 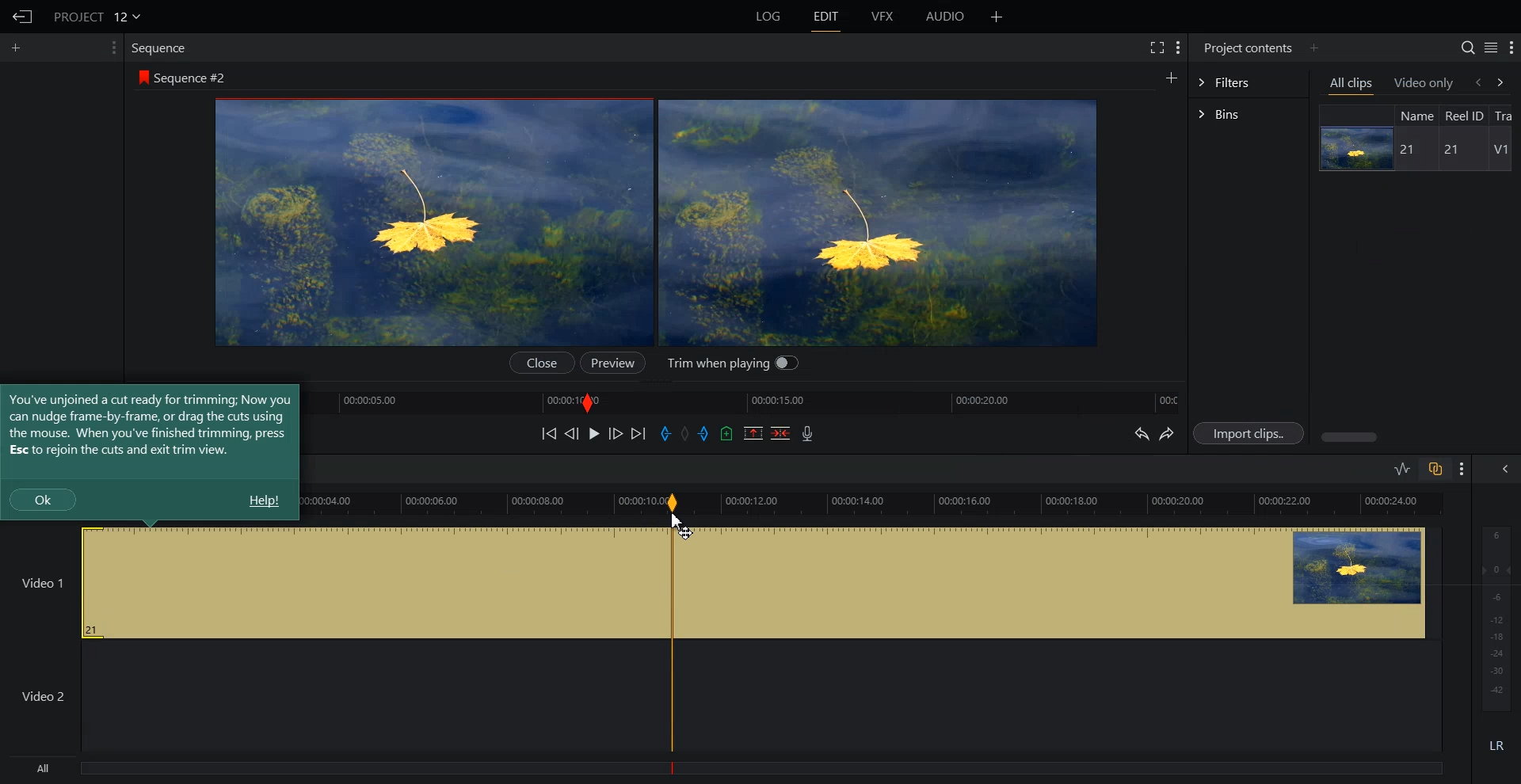 What do you see at coordinates (883, 17) in the screenshot?
I see `VFX` at bounding box center [883, 17].